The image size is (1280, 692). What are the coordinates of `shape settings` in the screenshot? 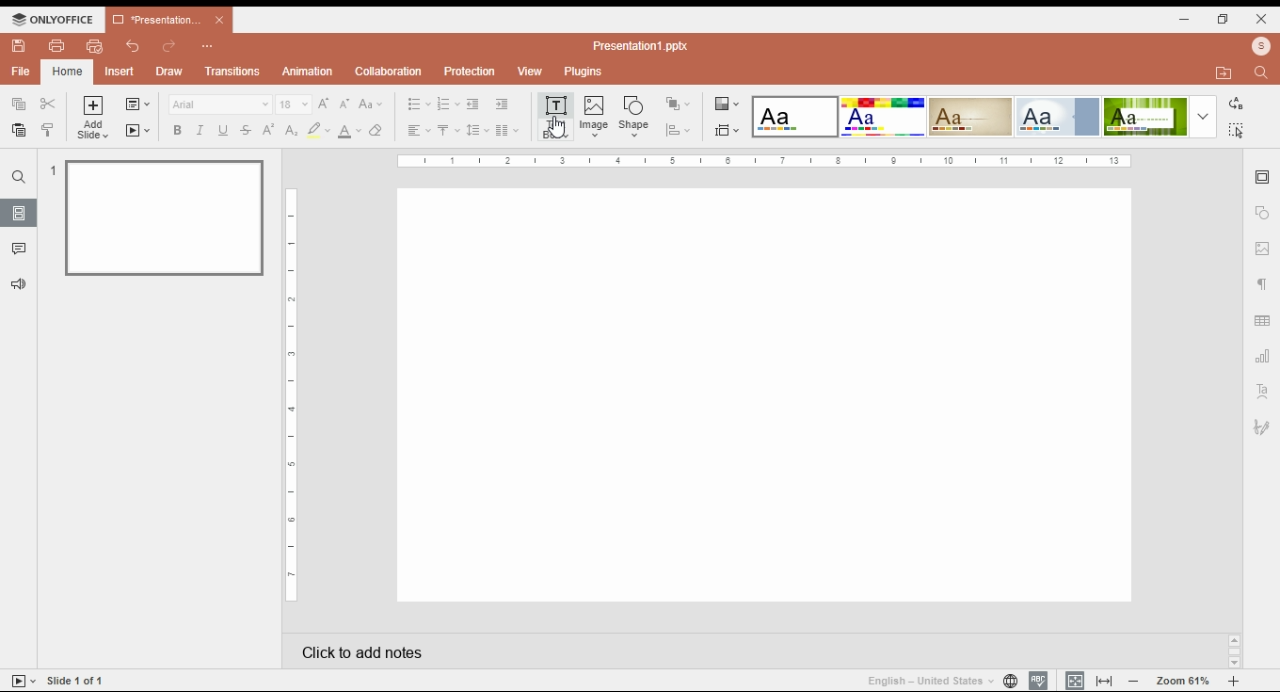 It's located at (1262, 213).